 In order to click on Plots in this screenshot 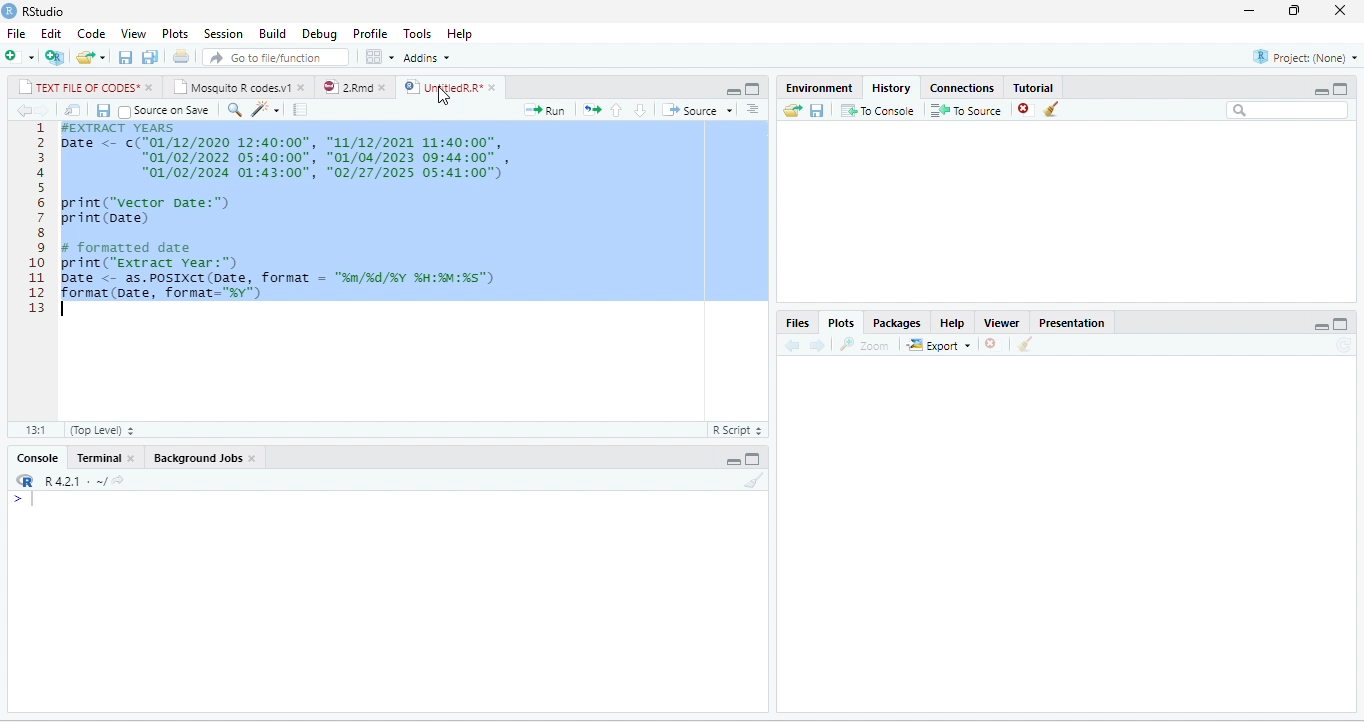, I will do `click(841, 322)`.